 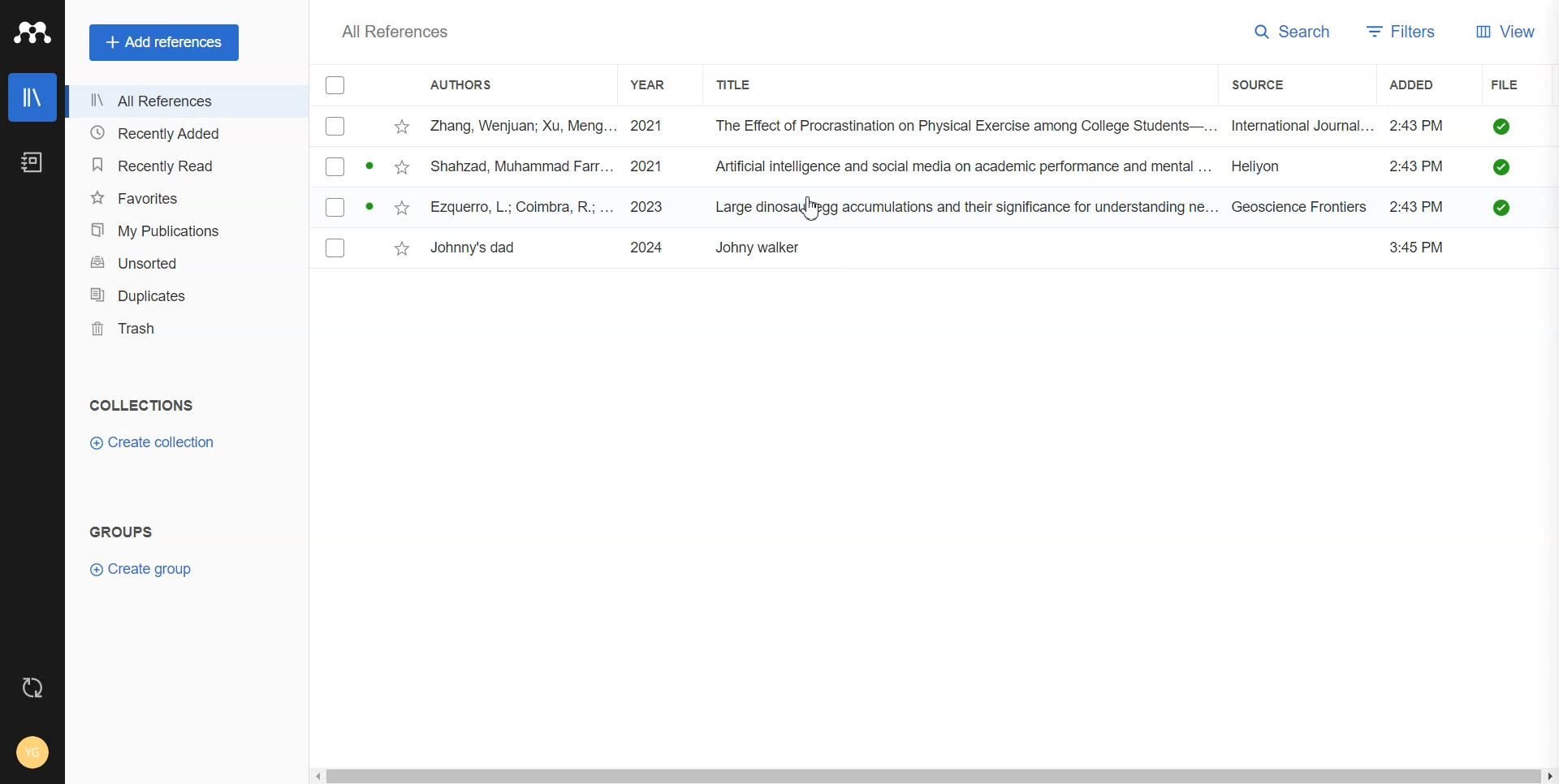 What do you see at coordinates (470, 82) in the screenshot?
I see `Authors` at bounding box center [470, 82].